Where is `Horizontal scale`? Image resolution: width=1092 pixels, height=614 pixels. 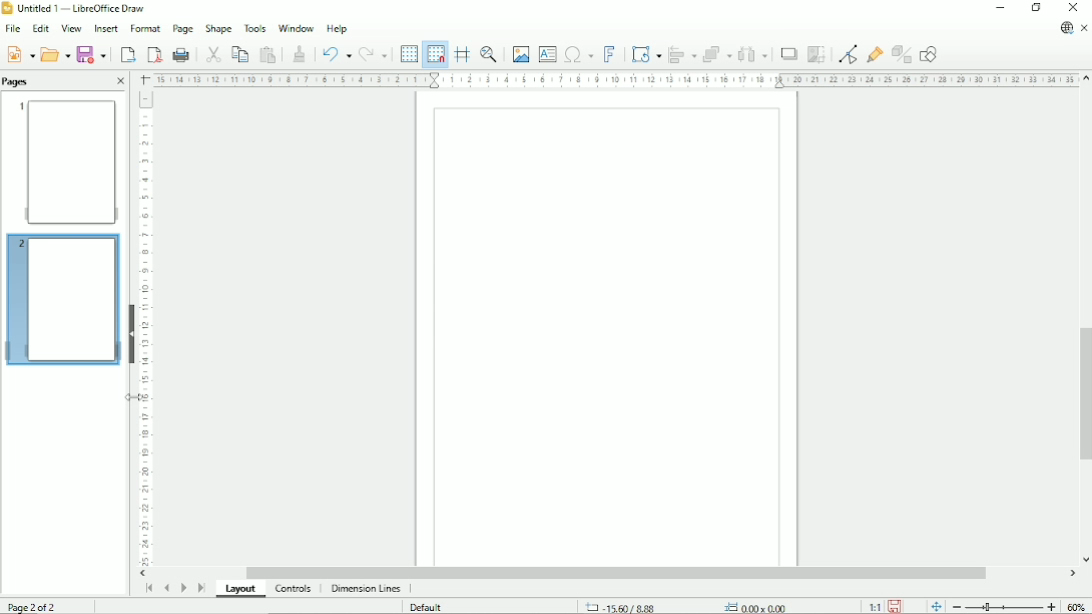
Horizontal scale is located at coordinates (614, 79).